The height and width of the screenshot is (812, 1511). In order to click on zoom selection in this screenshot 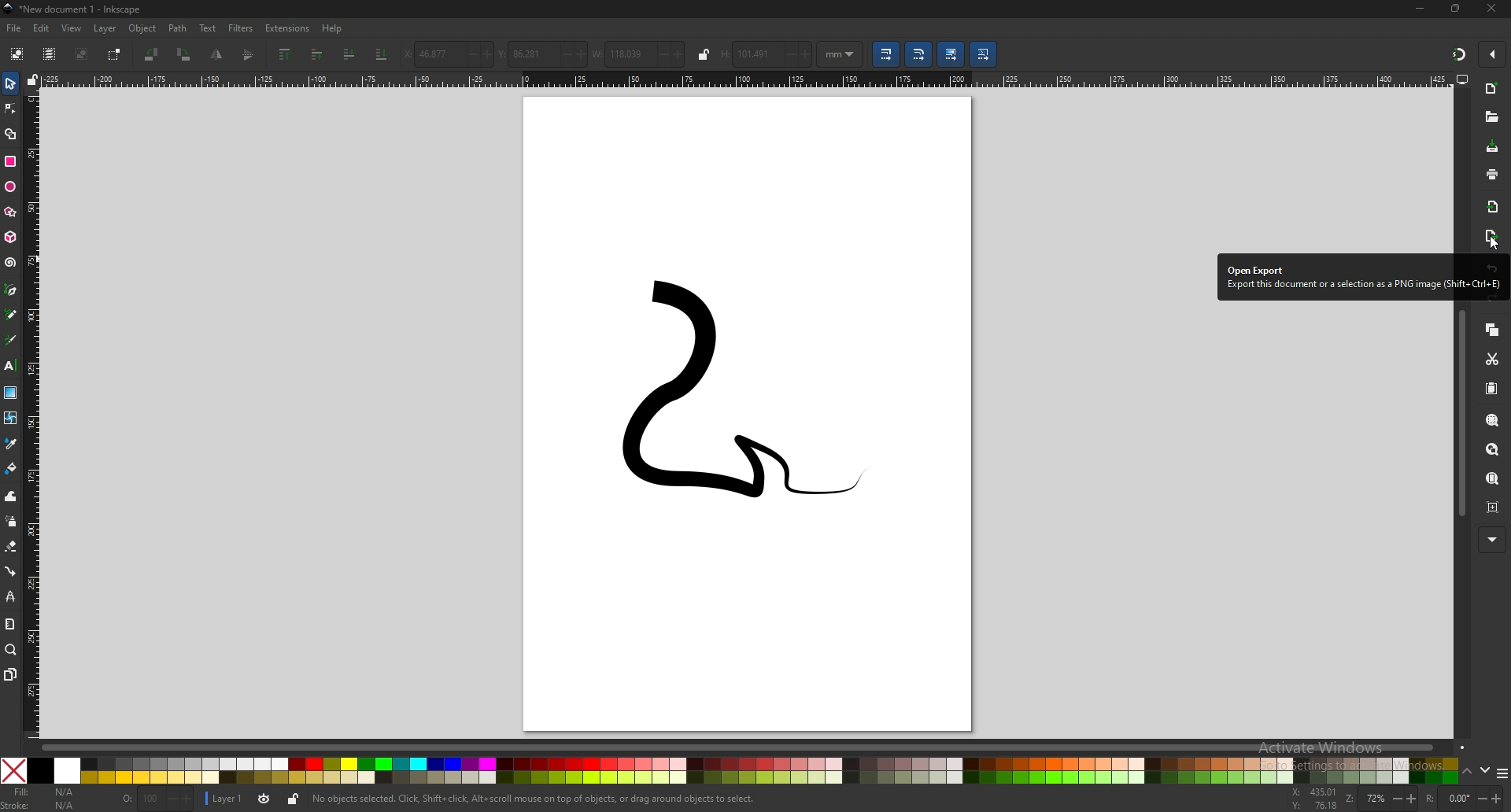, I will do `click(1493, 419)`.